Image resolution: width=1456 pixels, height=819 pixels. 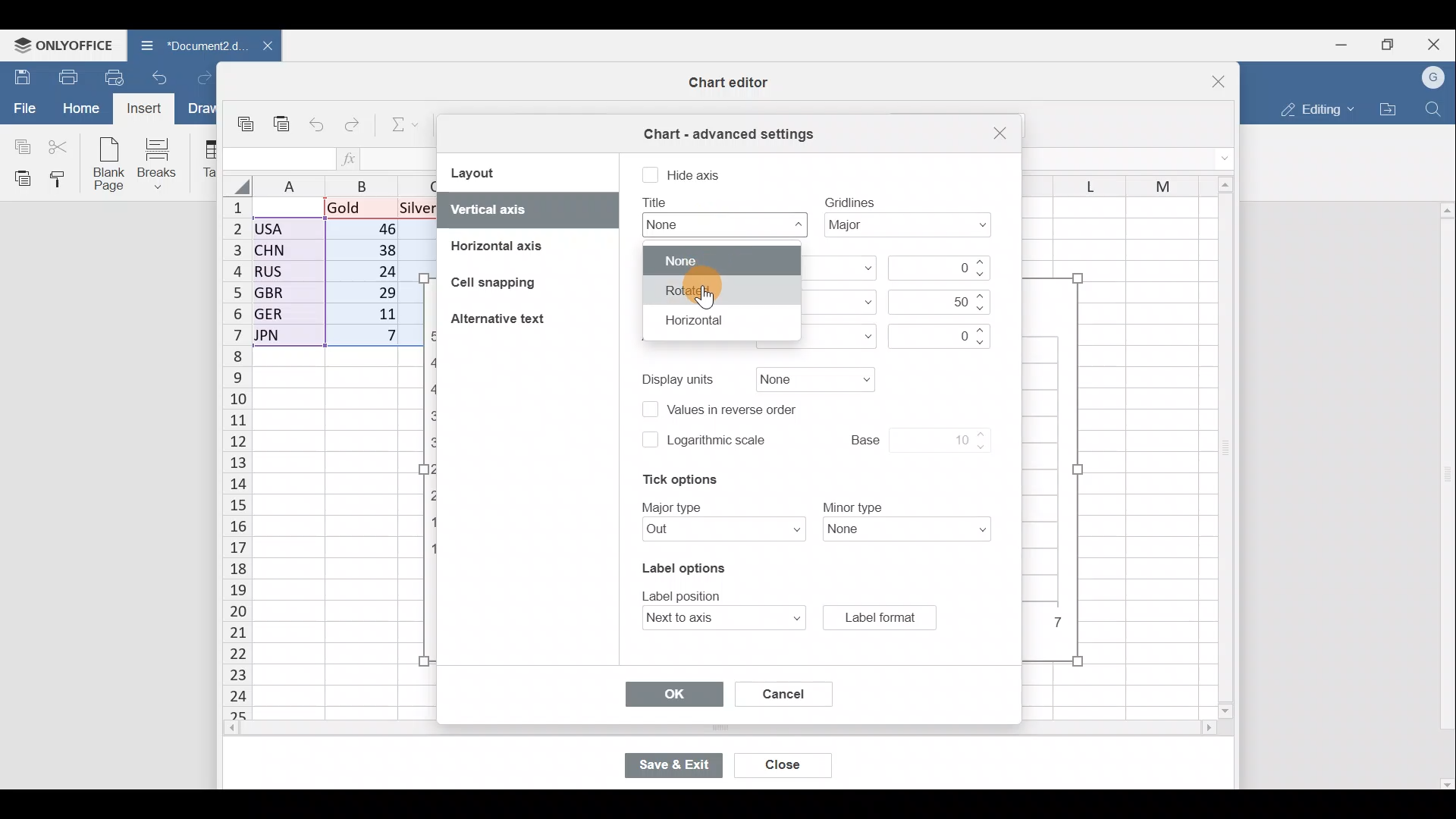 What do you see at coordinates (914, 531) in the screenshot?
I see `Minor type` at bounding box center [914, 531].